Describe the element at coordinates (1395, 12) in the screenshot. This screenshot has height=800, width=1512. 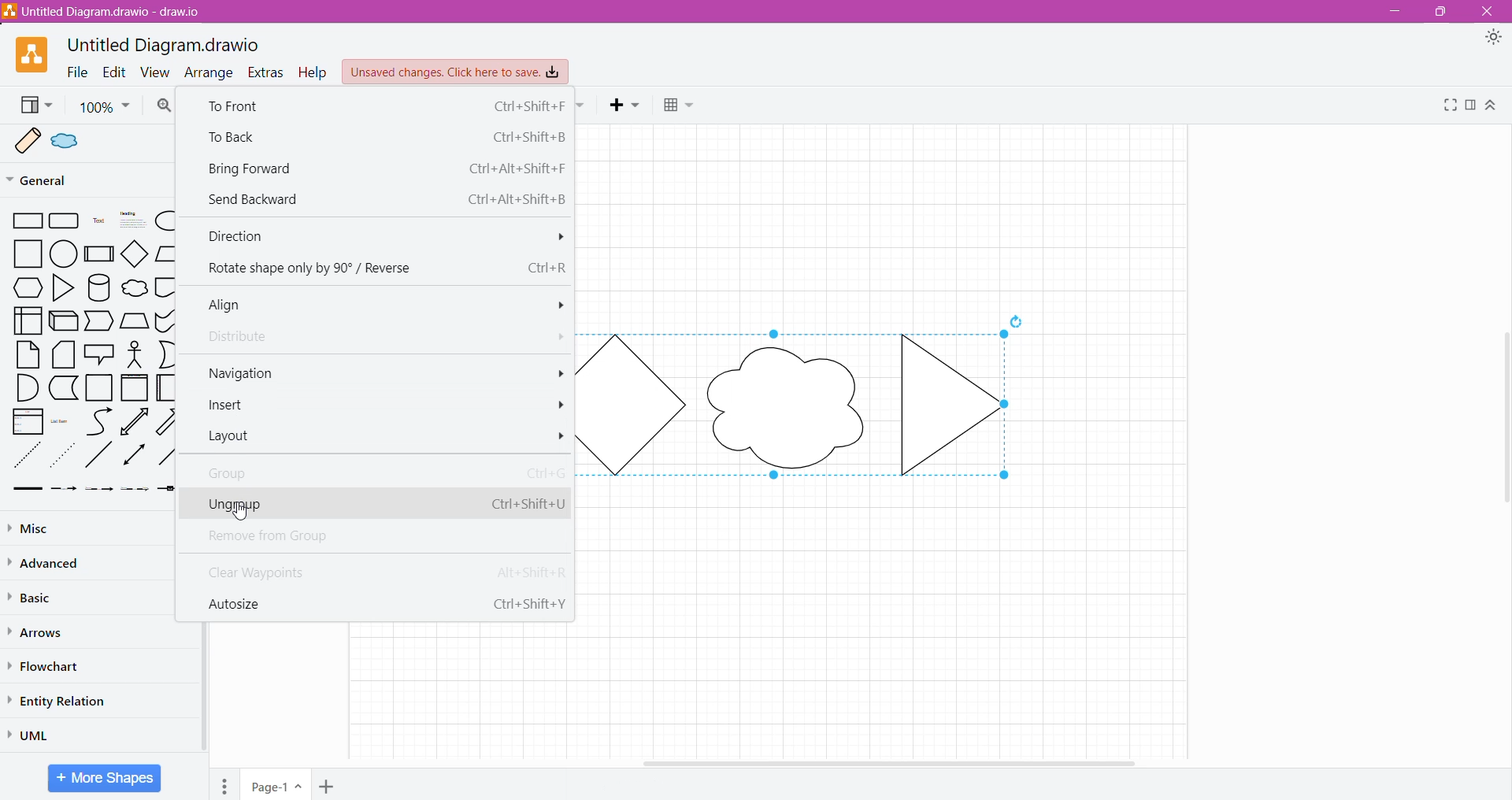
I see `Minimize` at that location.